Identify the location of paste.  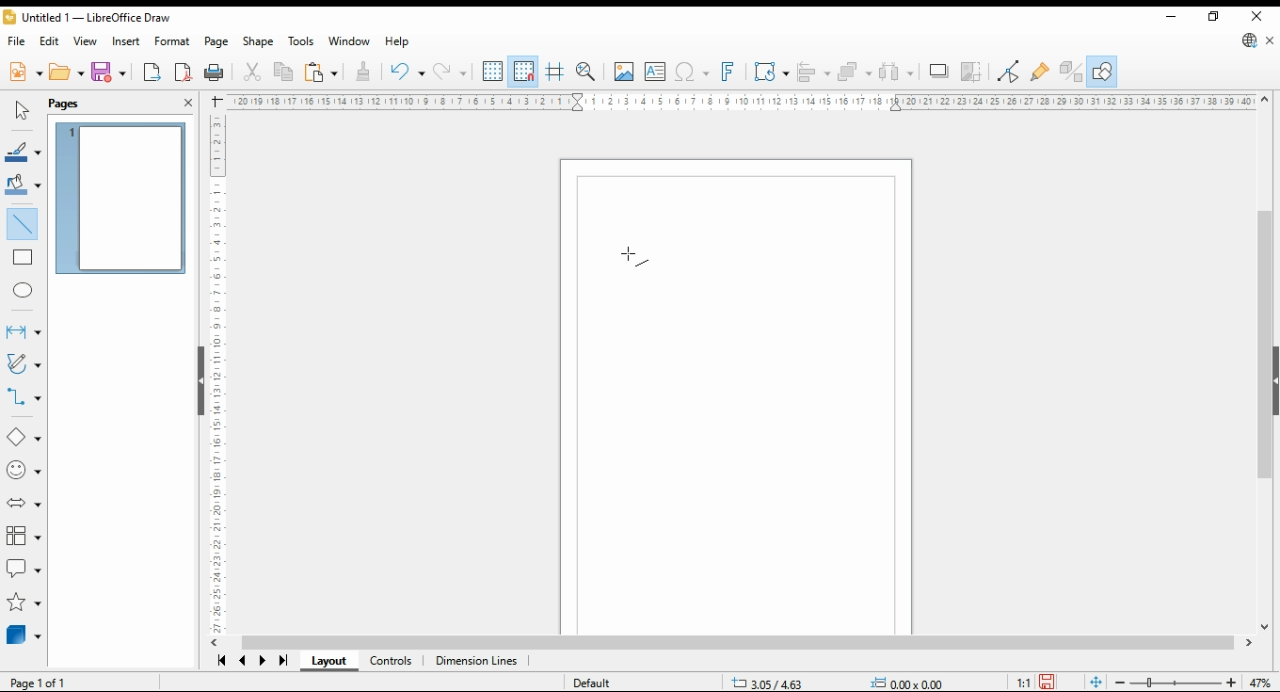
(319, 72).